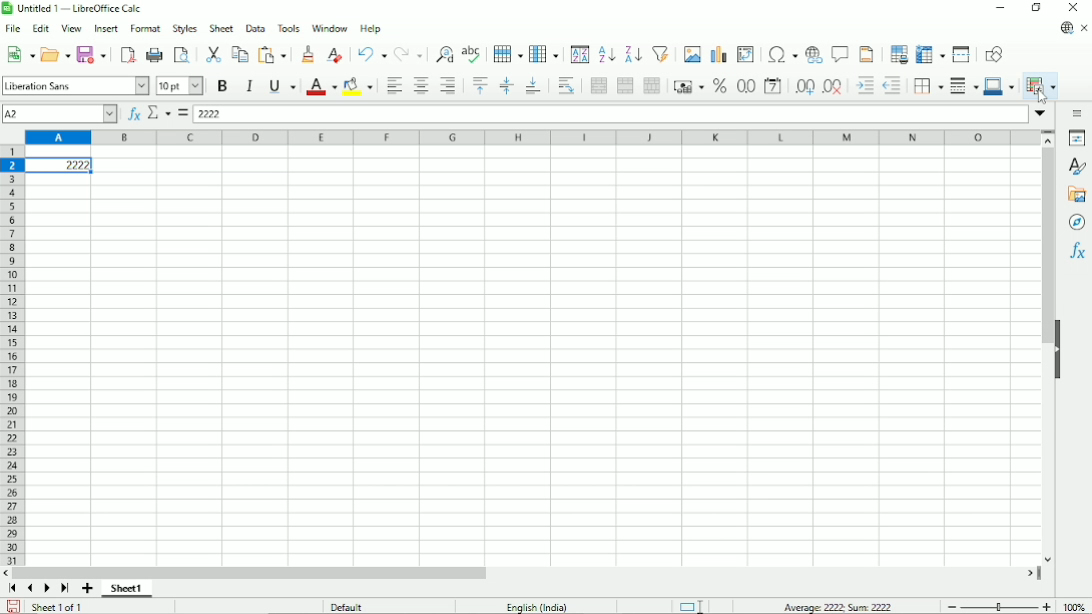  I want to click on Update available, so click(1065, 29).